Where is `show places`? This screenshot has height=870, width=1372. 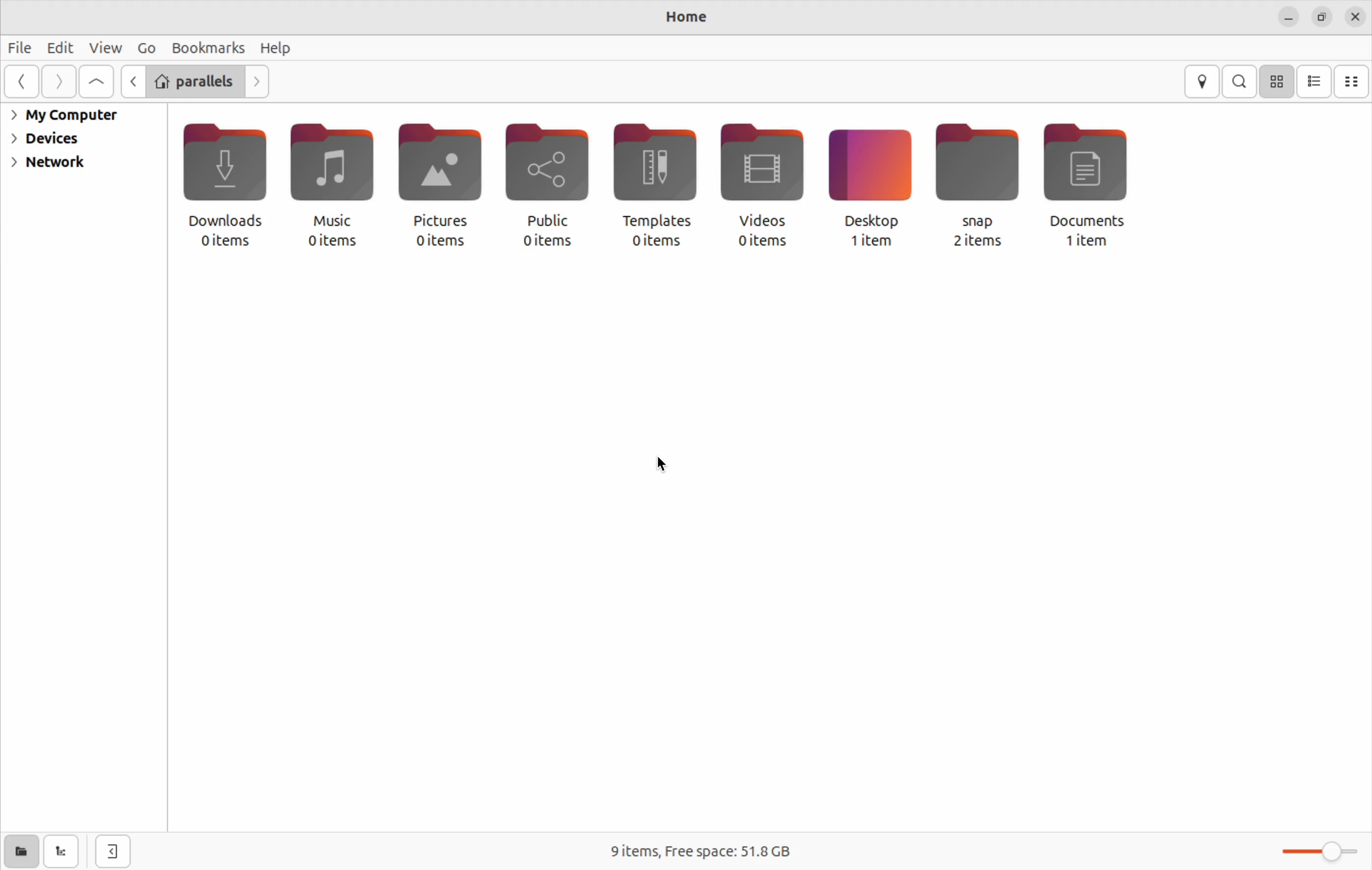 show places is located at coordinates (21, 855).